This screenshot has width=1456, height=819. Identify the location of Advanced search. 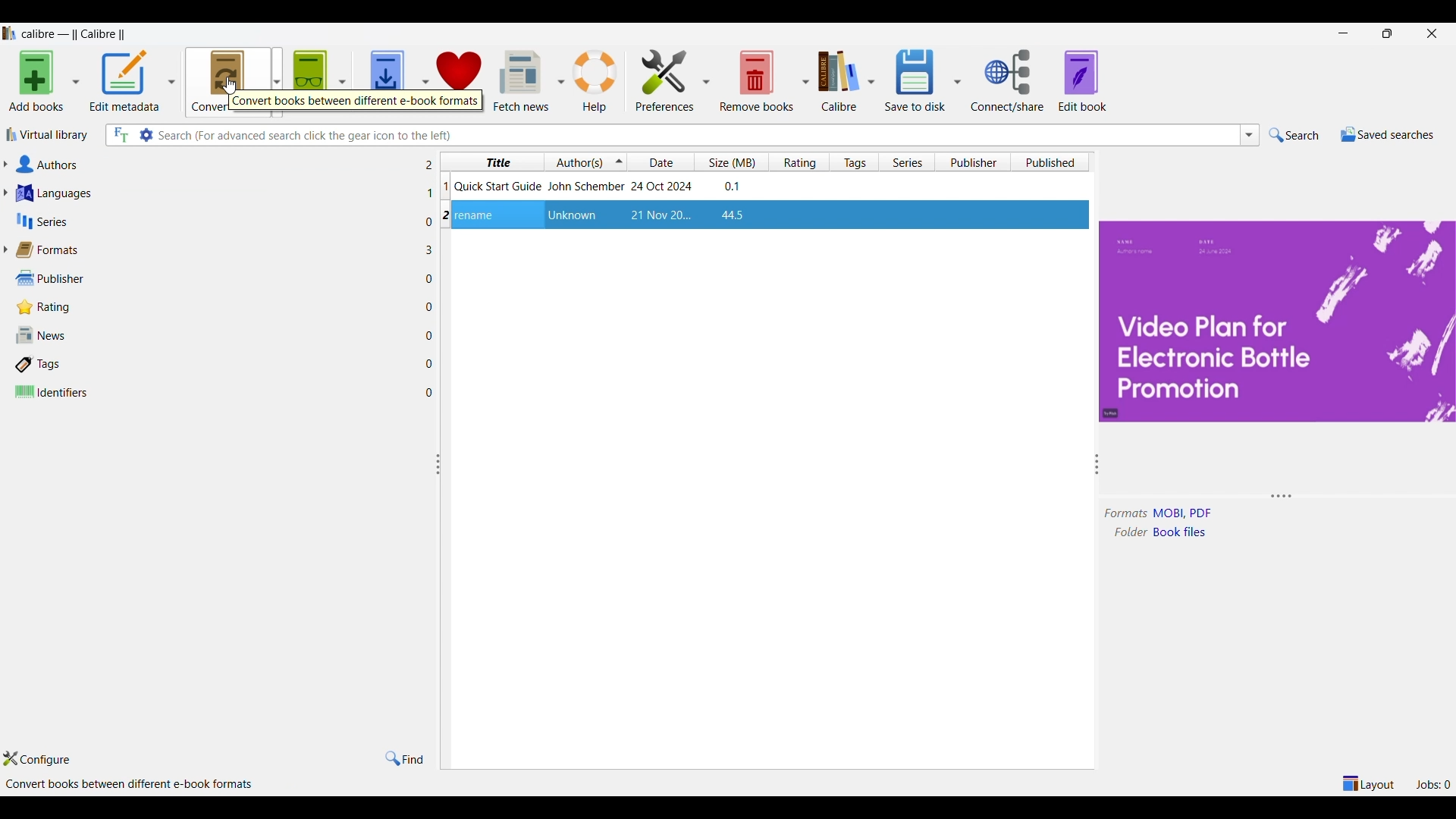
(146, 135).